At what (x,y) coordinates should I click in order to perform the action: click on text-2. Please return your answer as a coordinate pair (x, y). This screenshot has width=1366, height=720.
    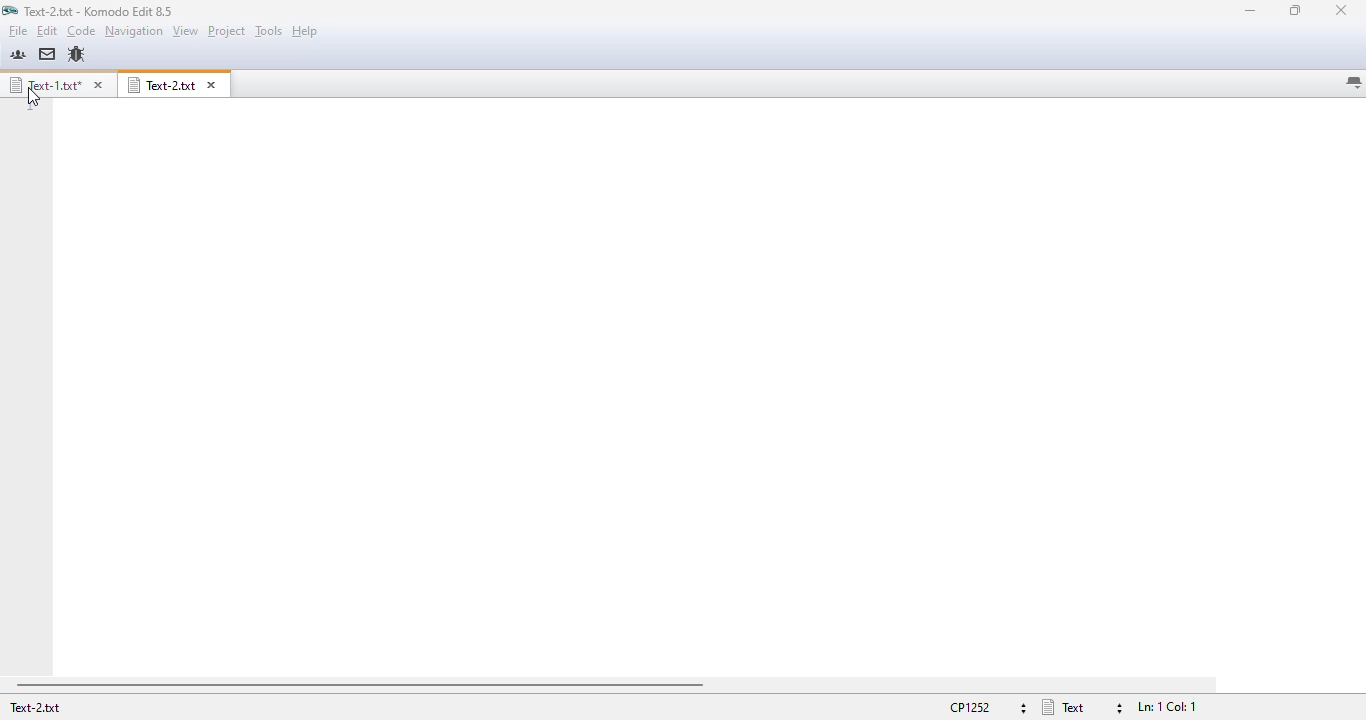
    Looking at the image, I should click on (162, 85).